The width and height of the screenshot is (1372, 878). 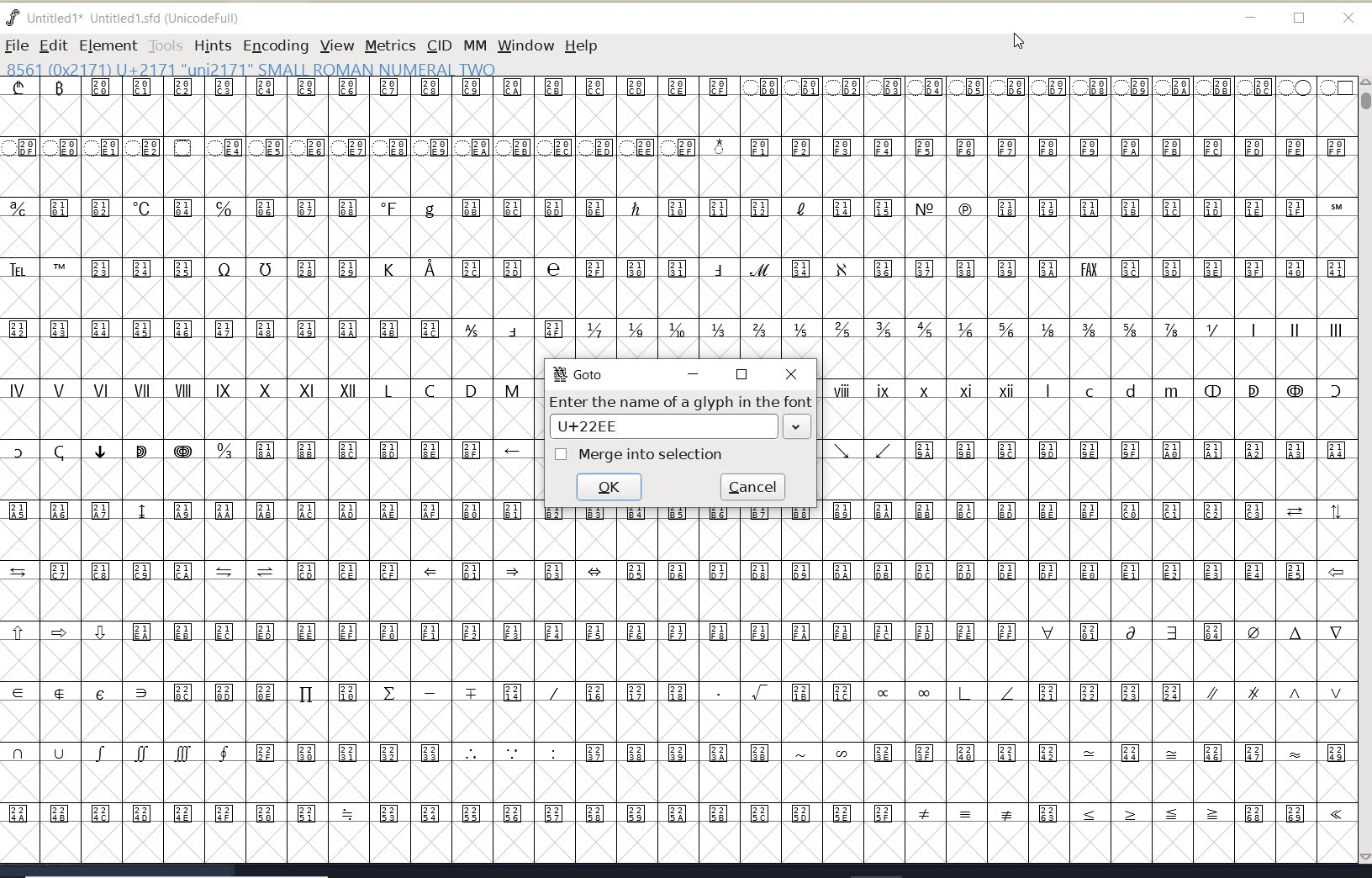 I want to click on HINTS, so click(x=212, y=46).